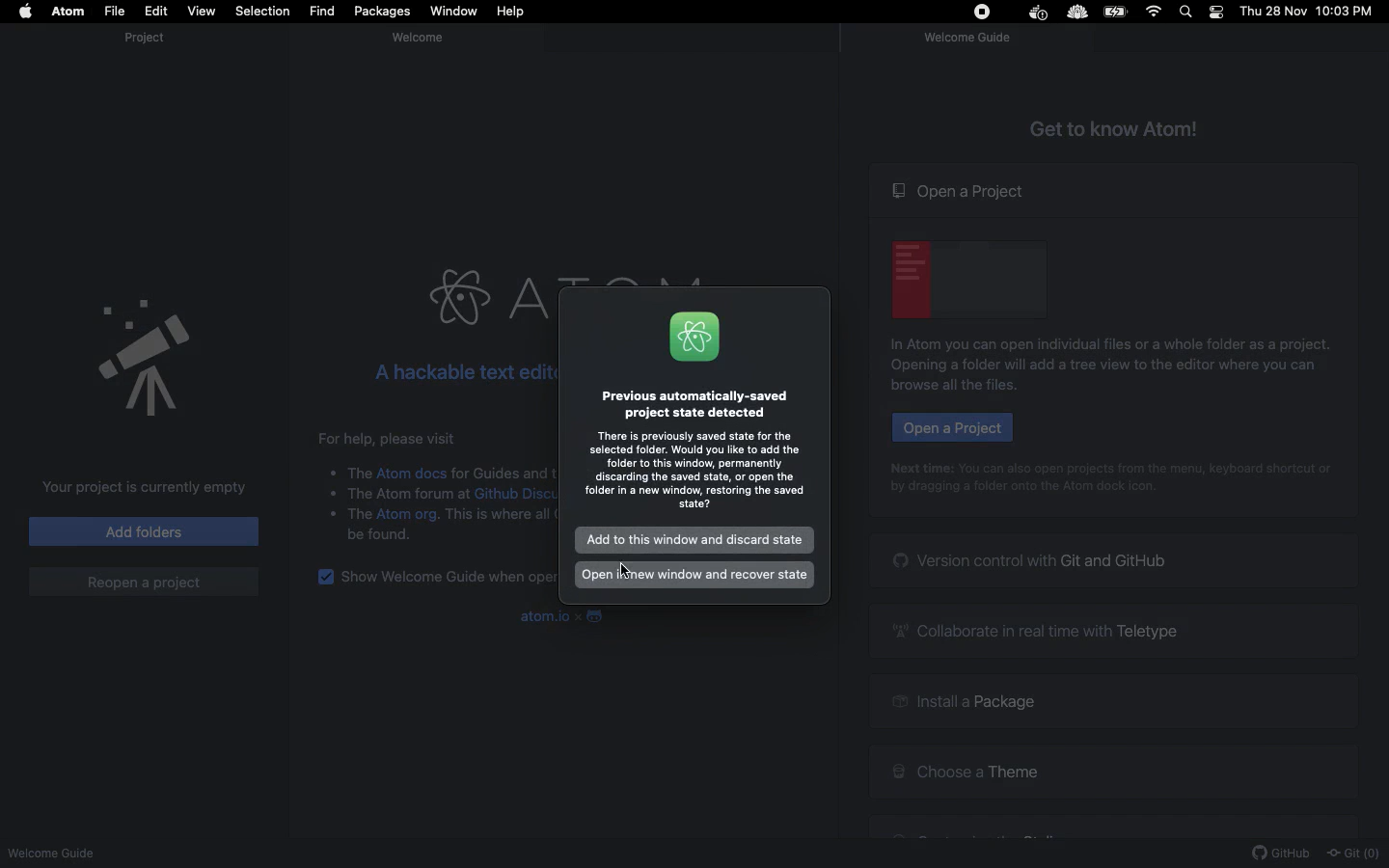 This screenshot has height=868, width=1389. Describe the element at coordinates (500, 519) in the screenshot. I see `text` at that location.